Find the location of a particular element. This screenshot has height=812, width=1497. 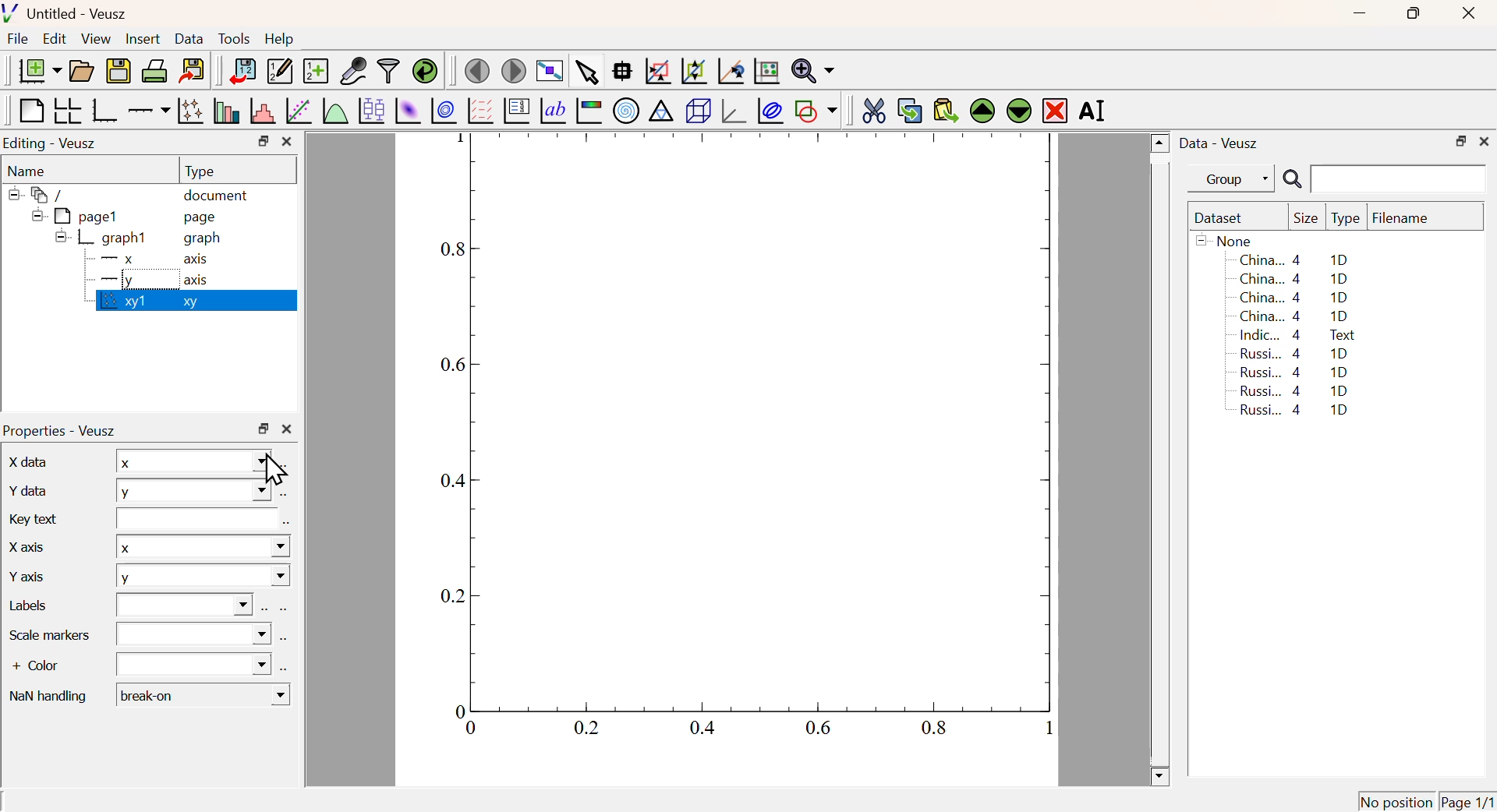

Dropdown is located at coordinates (194, 664).